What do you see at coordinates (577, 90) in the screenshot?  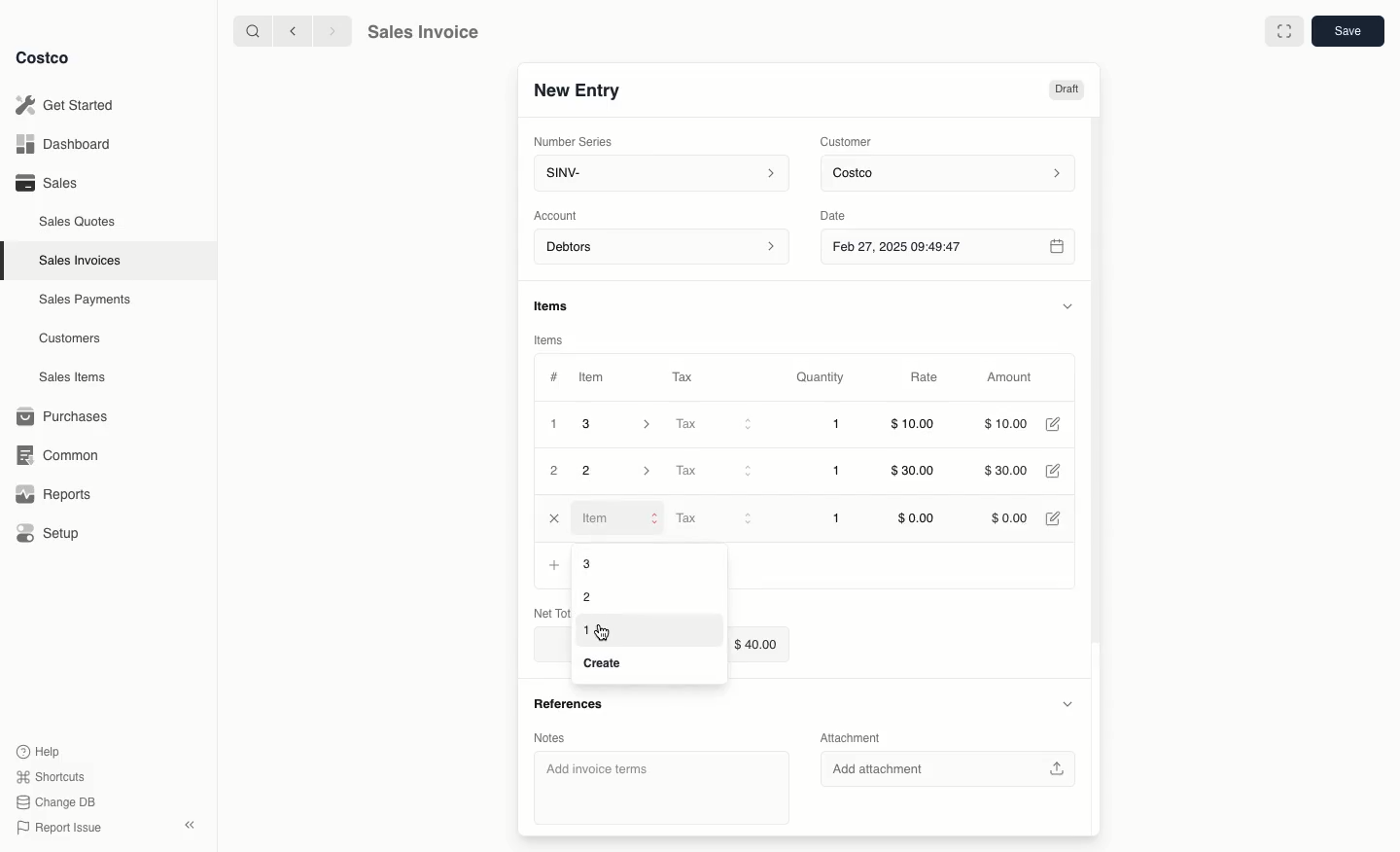 I see `New Entry` at bounding box center [577, 90].